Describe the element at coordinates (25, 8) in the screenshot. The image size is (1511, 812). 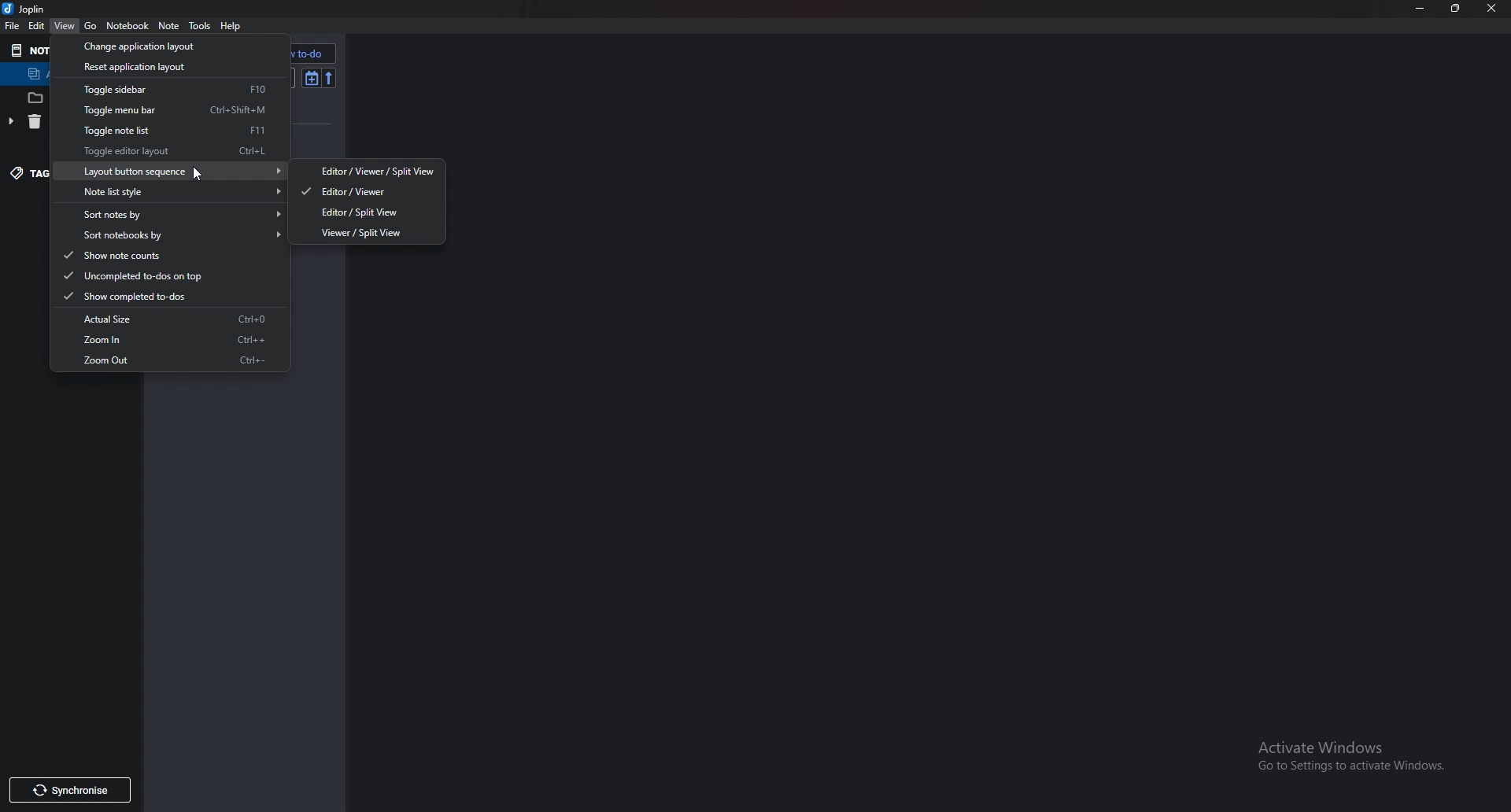
I see `joplin` at that location.